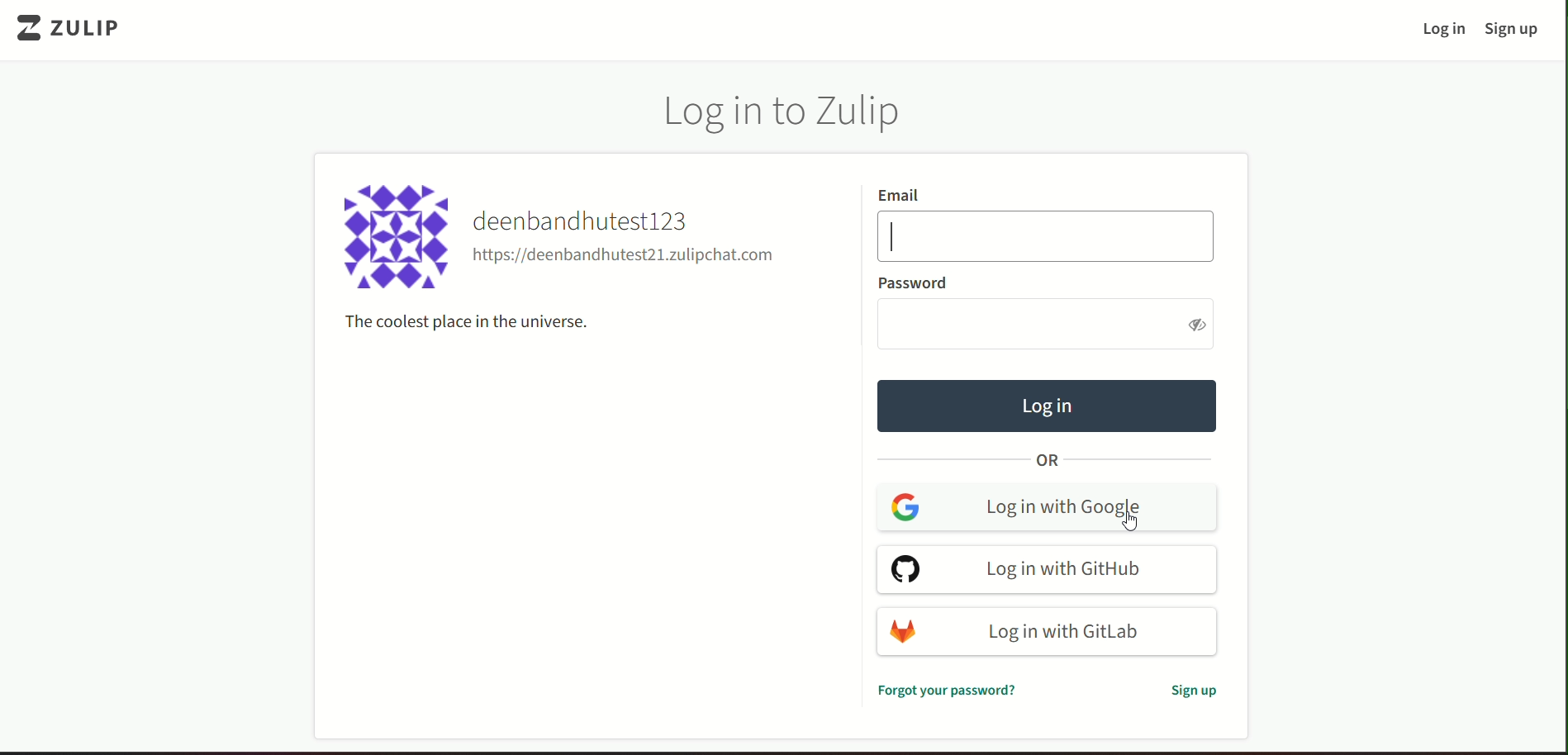 The height and width of the screenshot is (755, 1568). I want to click on email, so click(900, 193).